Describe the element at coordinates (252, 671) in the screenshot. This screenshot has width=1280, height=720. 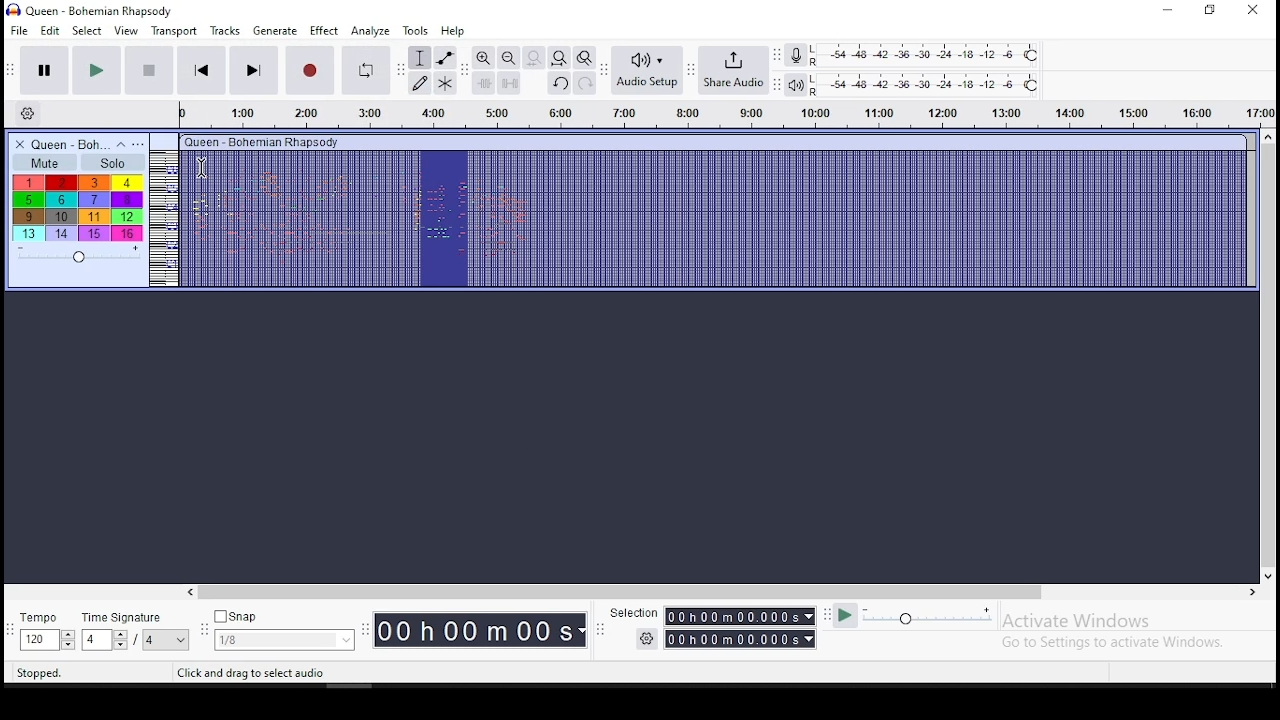
I see `Click and drag to select audio` at that location.